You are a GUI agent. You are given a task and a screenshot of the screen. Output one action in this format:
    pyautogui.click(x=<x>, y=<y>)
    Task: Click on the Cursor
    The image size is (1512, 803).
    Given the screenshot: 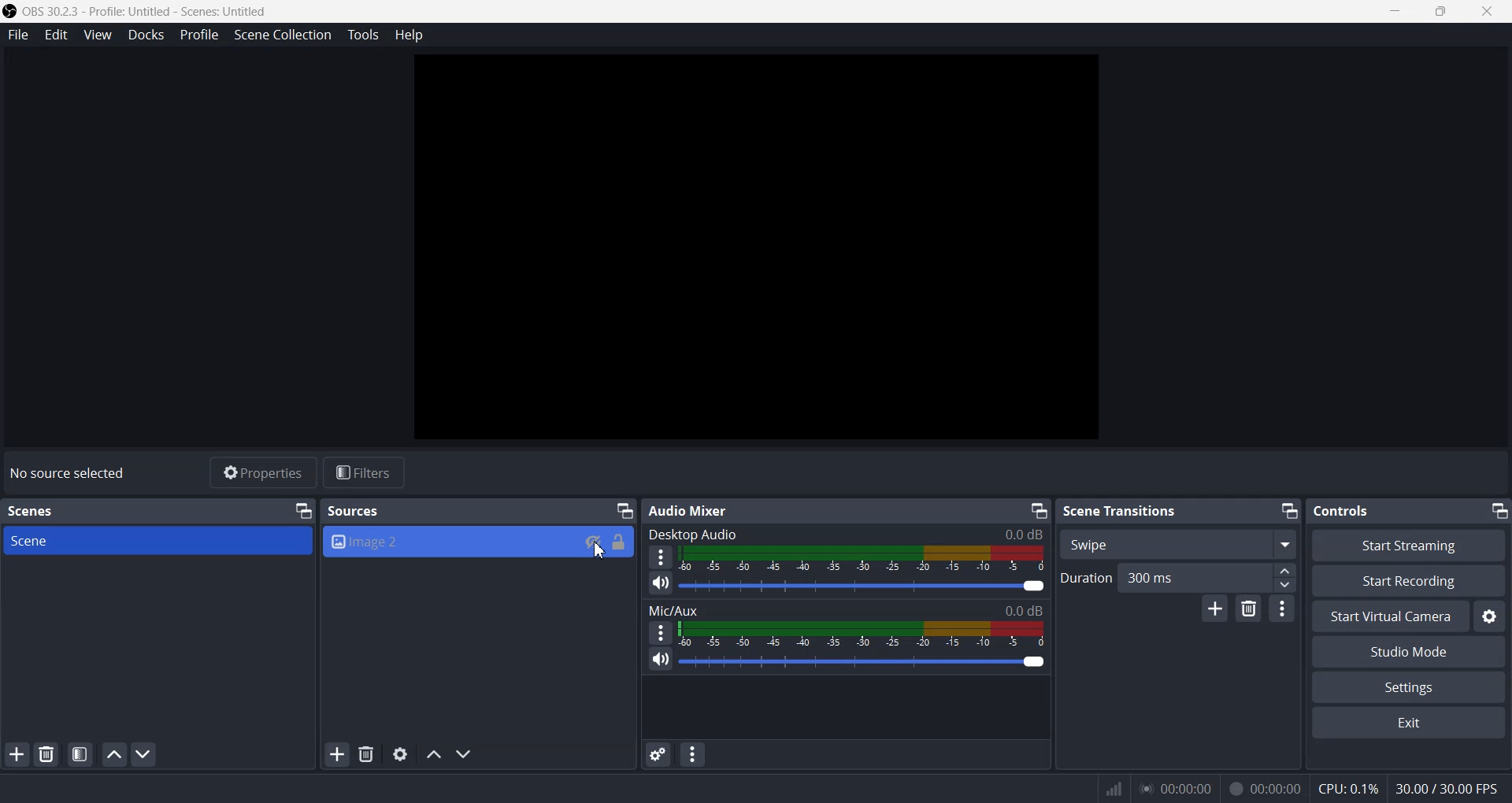 What is the action you would take?
    pyautogui.click(x=600, y=553)
    